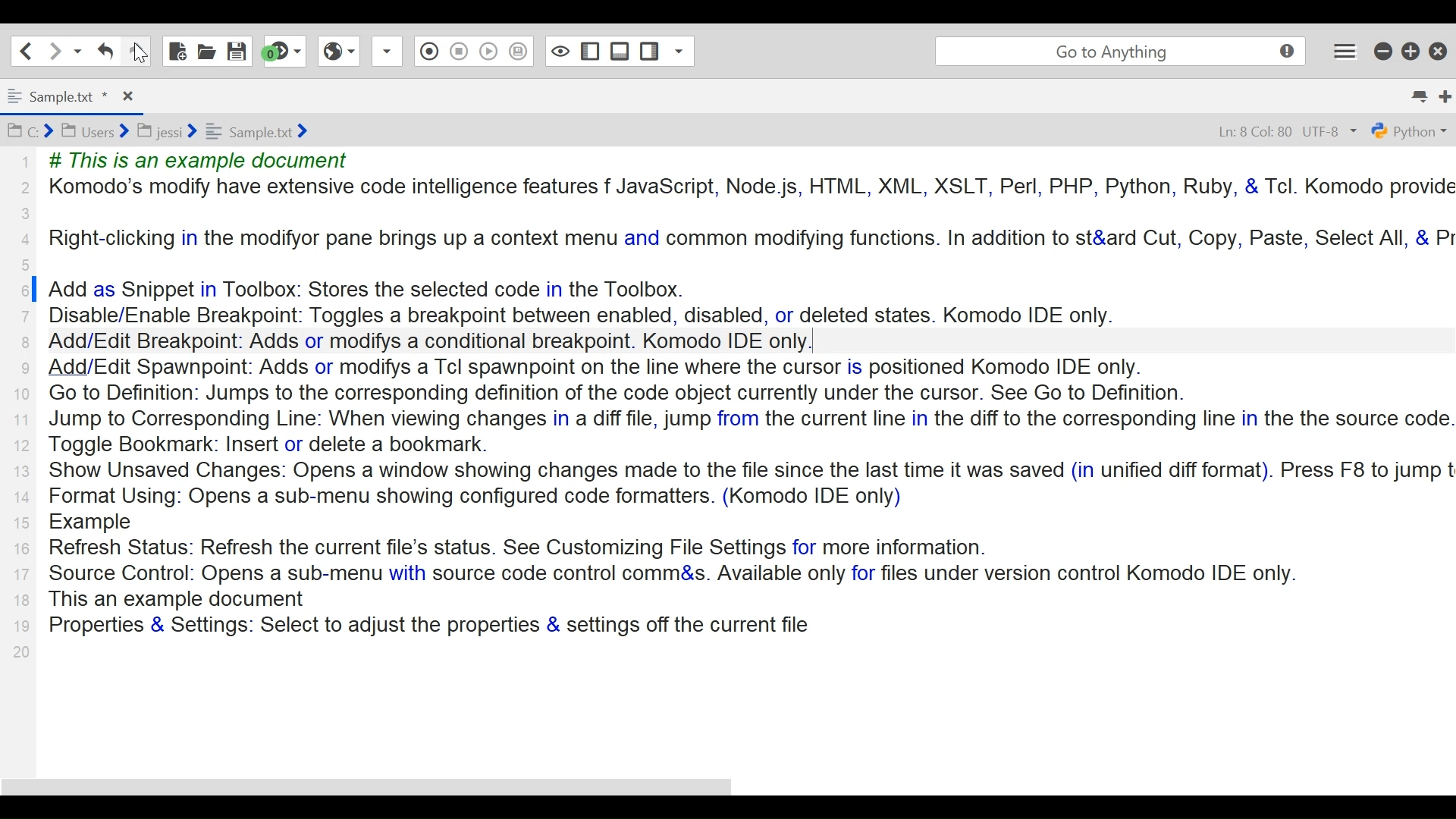 This screenshot has height=819, width=1456. What do you see at coordinates (1446, 97) in the screenshot?
I see `New Tab` at bounding box center [1446, 97].